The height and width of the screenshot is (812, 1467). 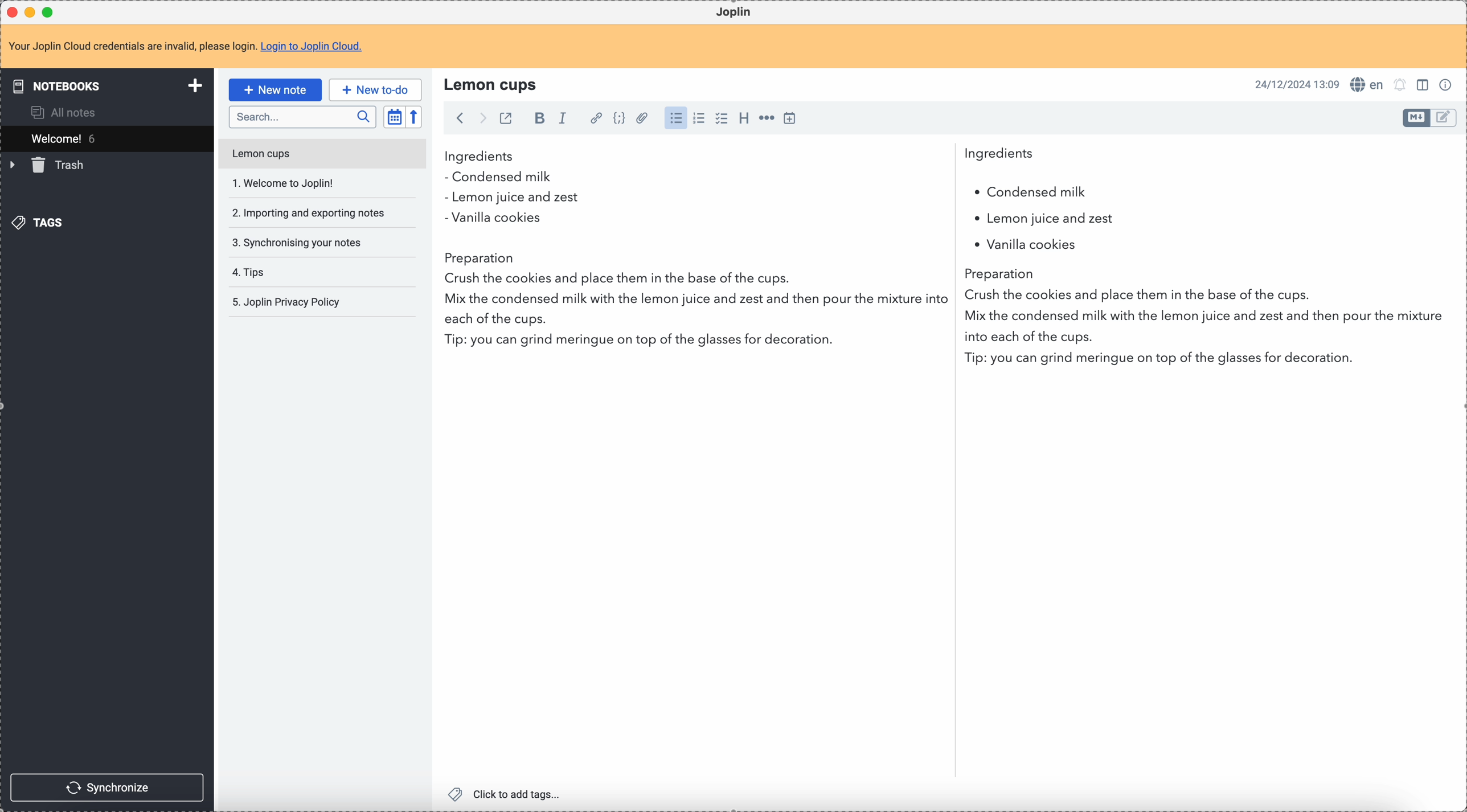 I want to click on minimize, so click(x=32, y=13).